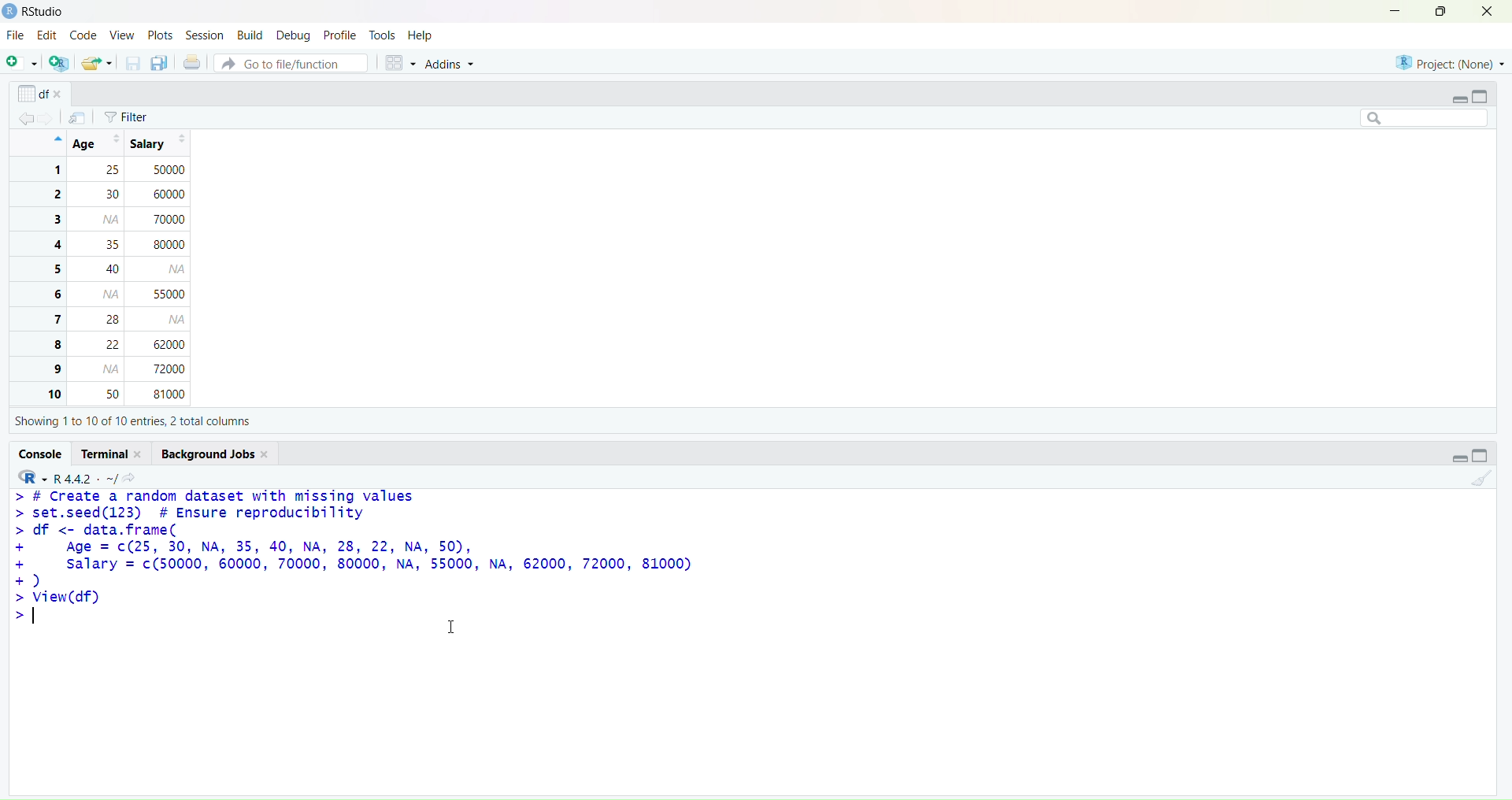 The height and width of the screenshot is (800, 1512). Describe the element at coordinates (51, 118) in the screenshot. I see `forward` at that location.